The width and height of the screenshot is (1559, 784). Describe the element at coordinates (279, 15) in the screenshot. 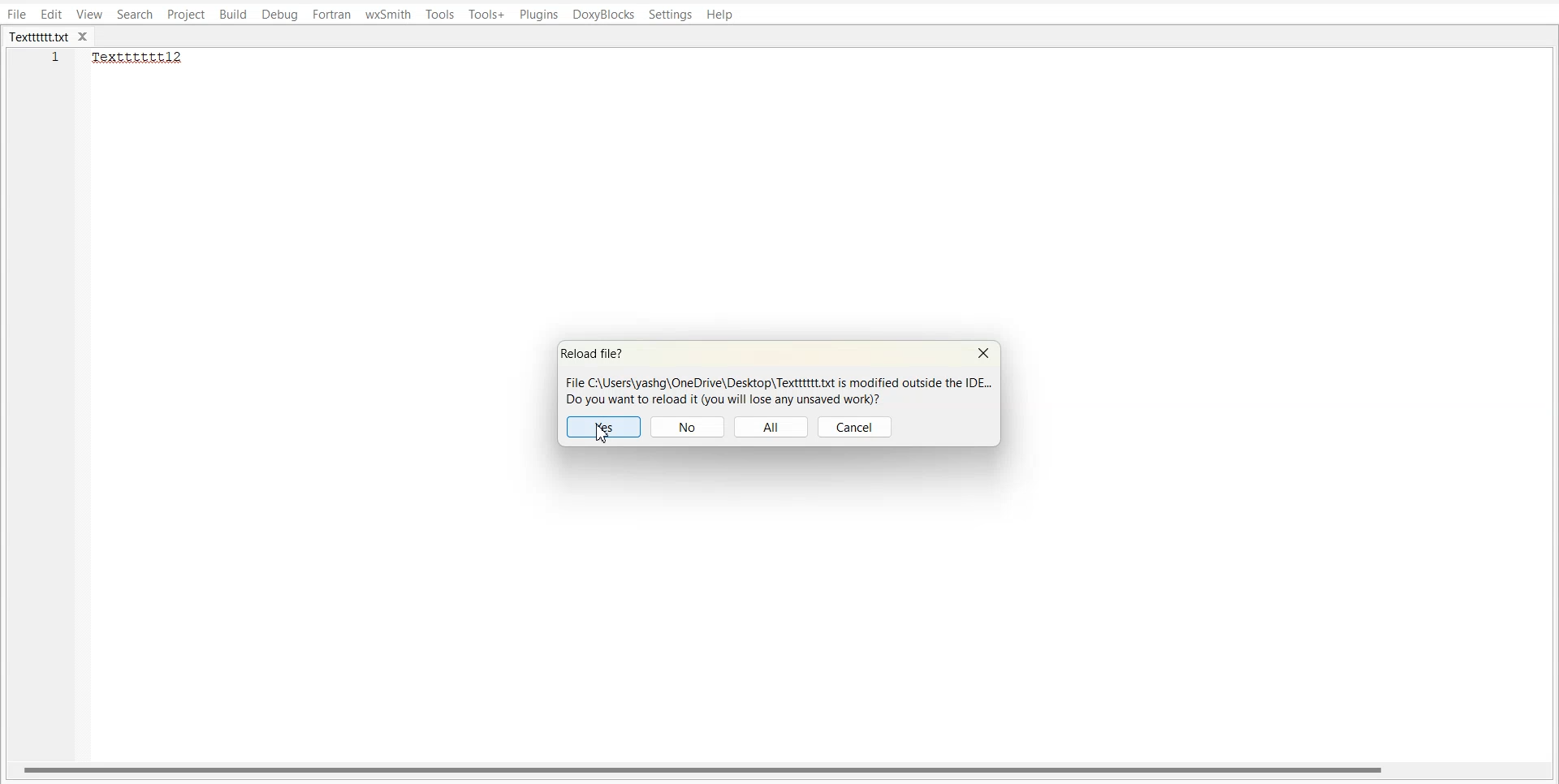

I see `Debug` at that location.